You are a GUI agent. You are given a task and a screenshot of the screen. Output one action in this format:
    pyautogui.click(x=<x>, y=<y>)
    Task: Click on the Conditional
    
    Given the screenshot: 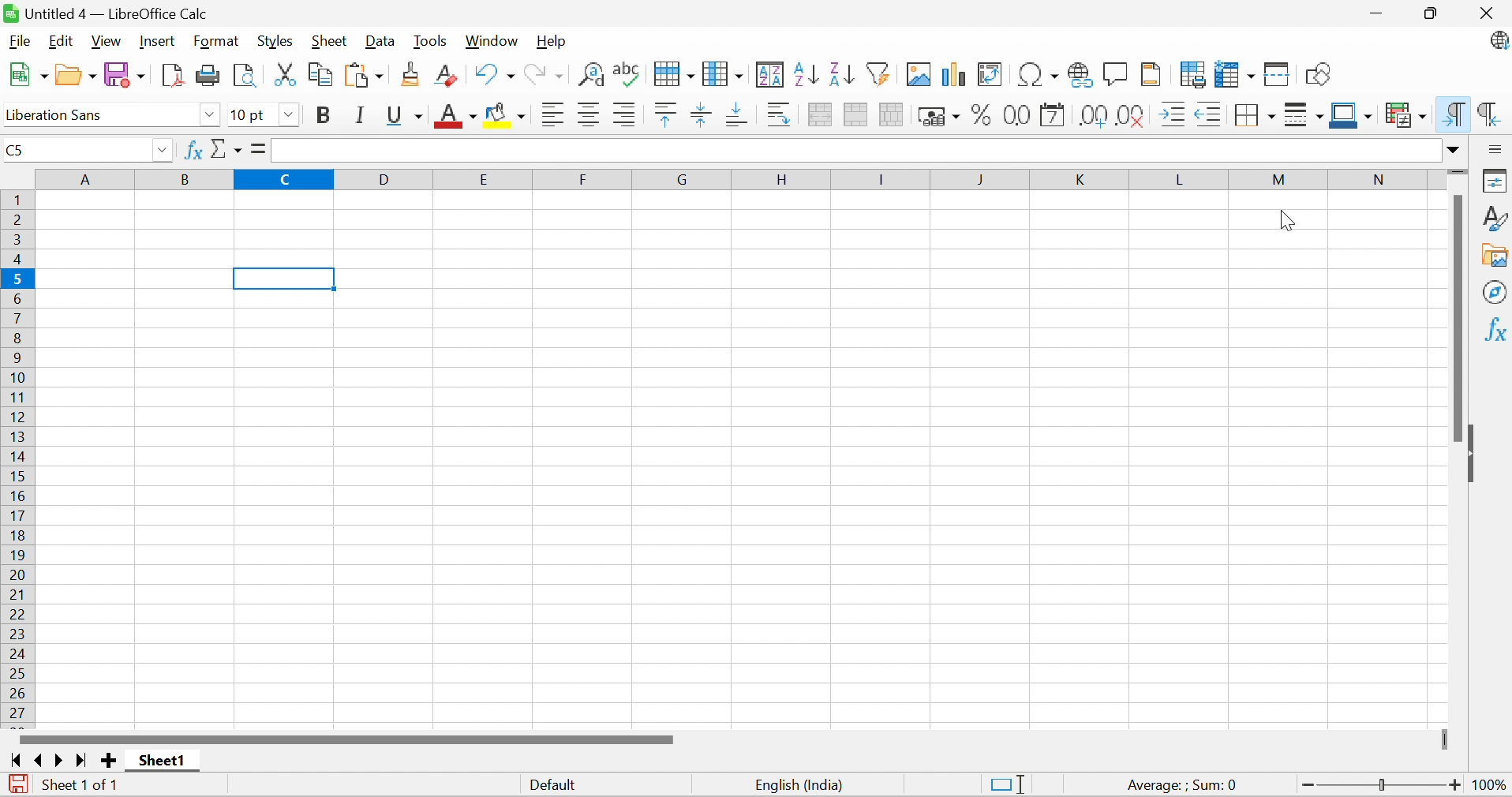 What is the action you would take?
    pyautogui.click(x=1407, y=115)
    